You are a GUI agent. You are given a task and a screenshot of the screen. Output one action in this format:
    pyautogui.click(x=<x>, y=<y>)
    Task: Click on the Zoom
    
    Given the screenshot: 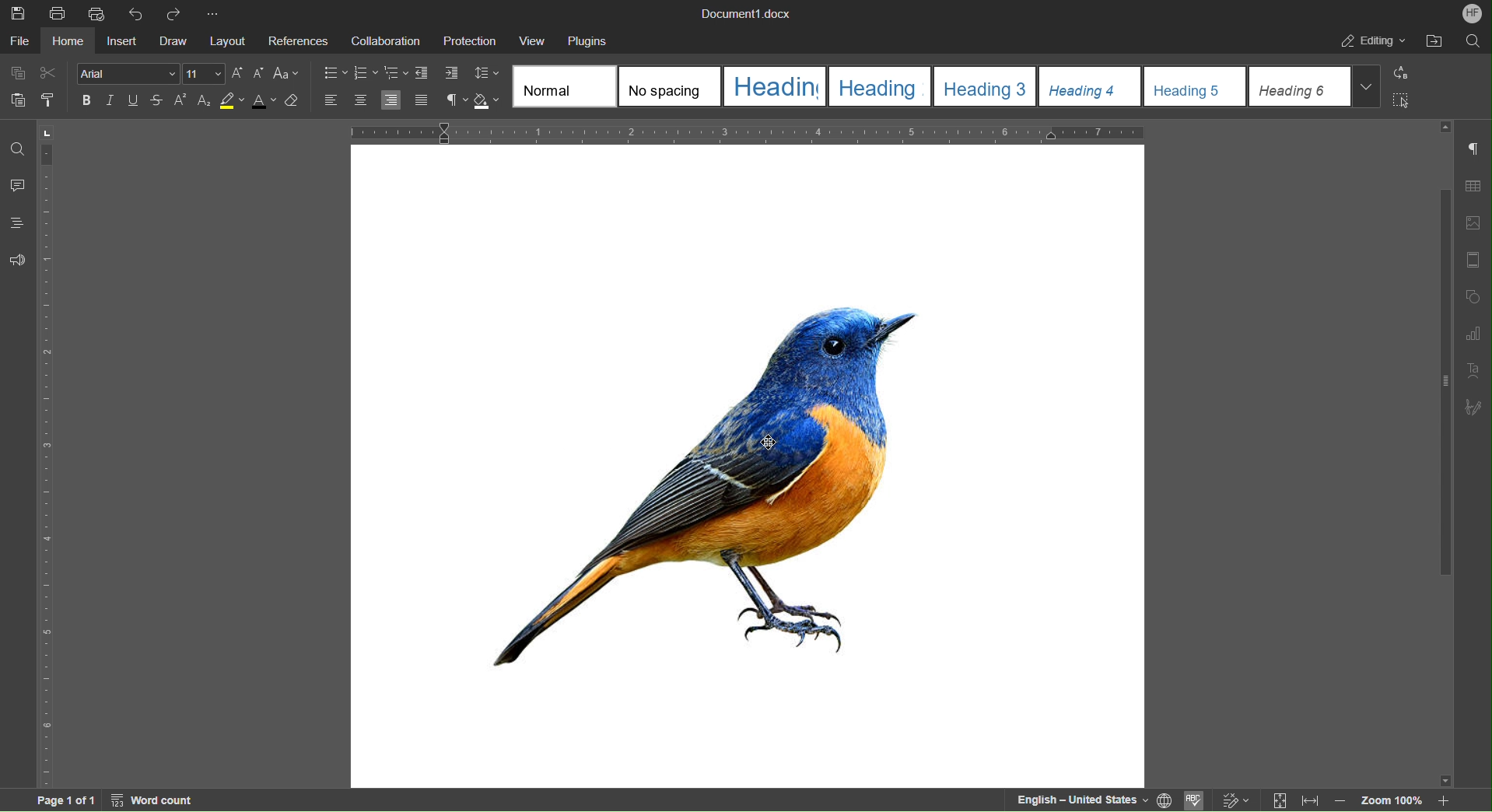 What is the action you would take?
    pyautogui.click(x=1390, y=800)
    